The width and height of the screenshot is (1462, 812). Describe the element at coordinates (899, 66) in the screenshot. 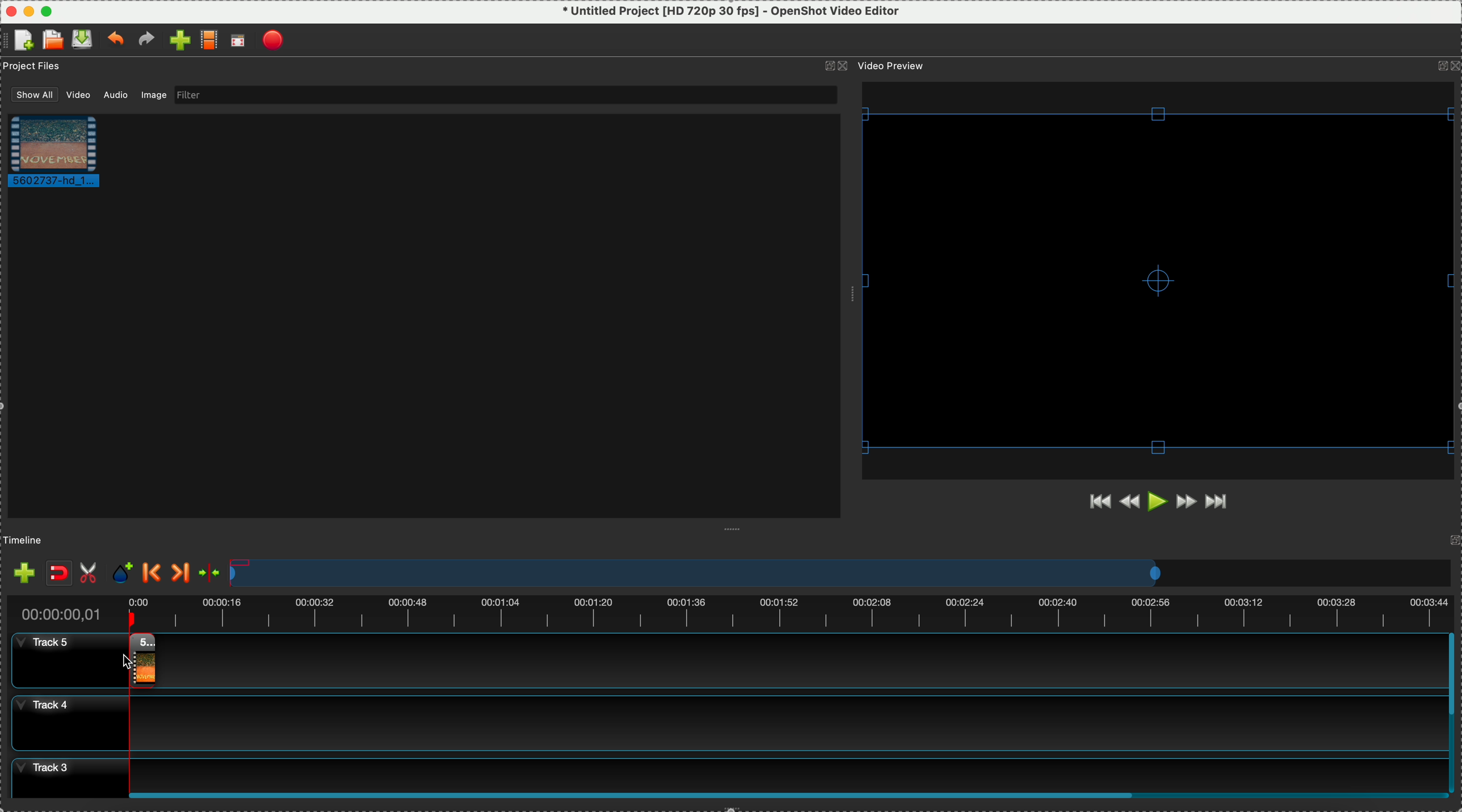

I see `video preview` at that location.